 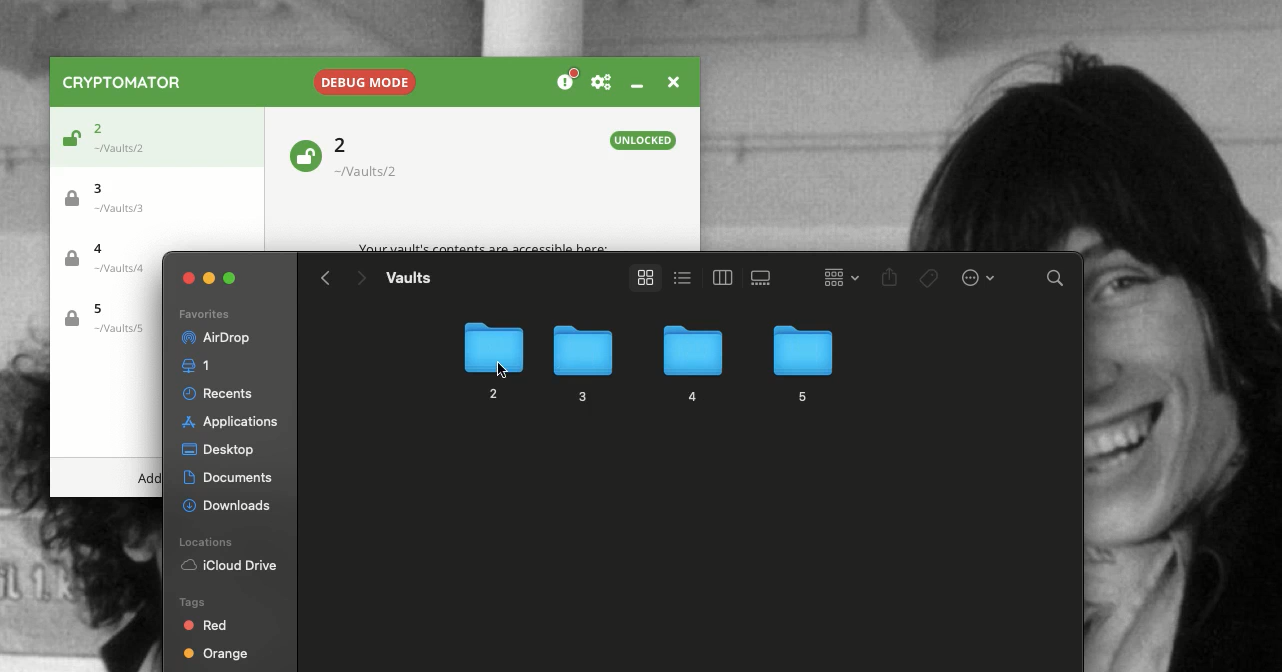 I want to click on Airdrop, so click(x=214, y=338).